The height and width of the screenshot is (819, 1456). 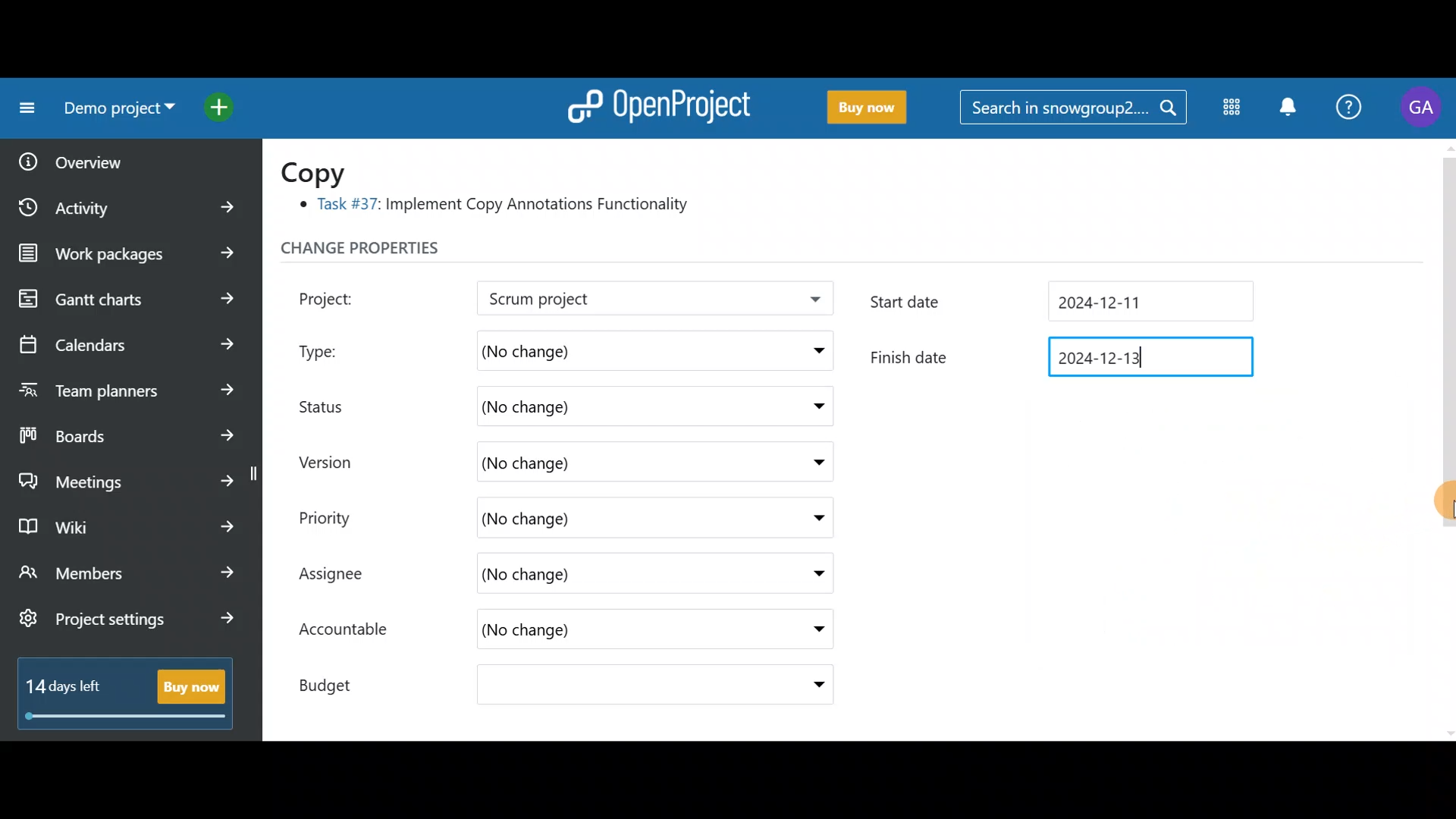 I want to click on (No change), so click(x=600, y=348).